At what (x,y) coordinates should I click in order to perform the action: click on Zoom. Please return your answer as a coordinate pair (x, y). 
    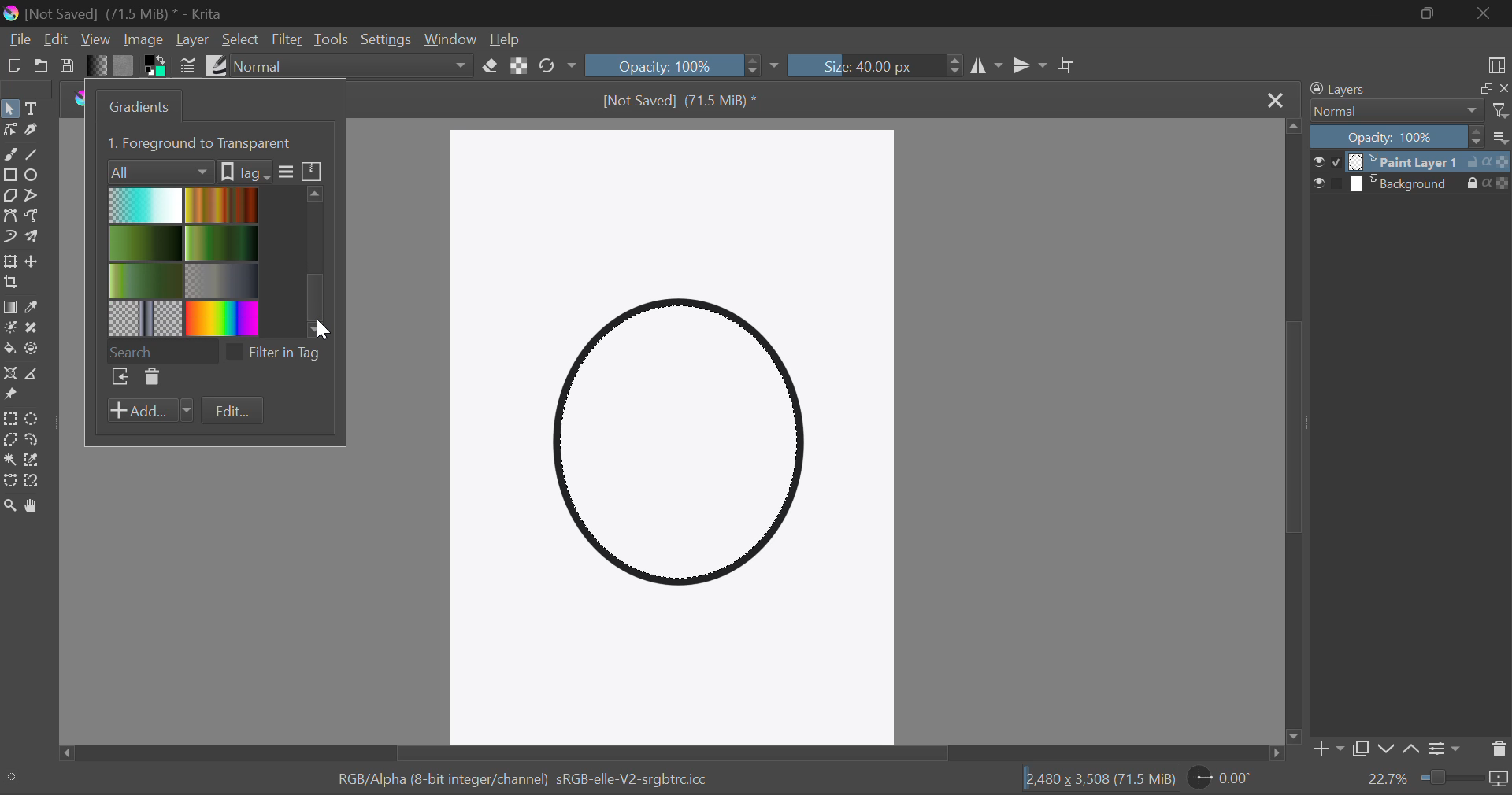
    Looking at the image, I should click on (11, 507).